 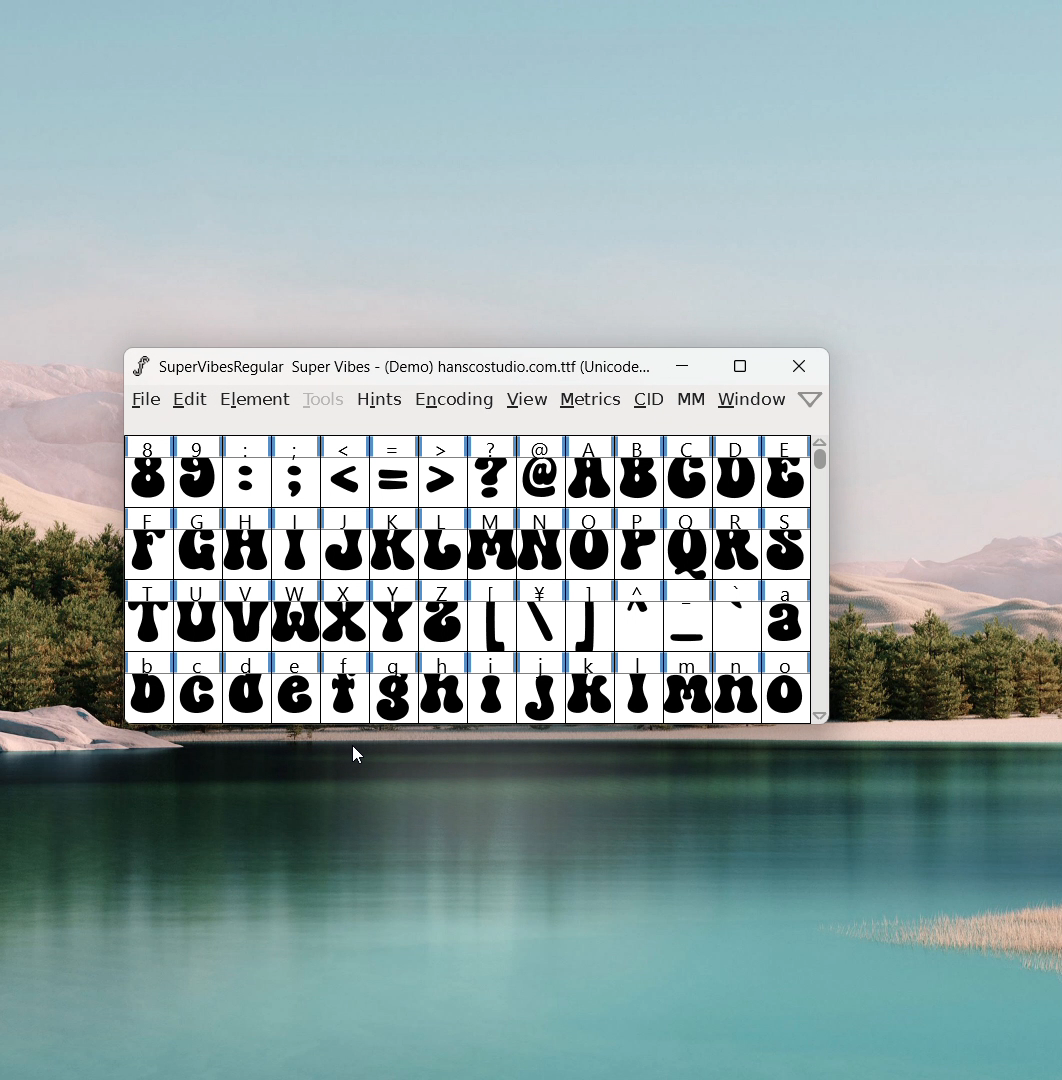 I want to click on S, so click(x=785, y=543).